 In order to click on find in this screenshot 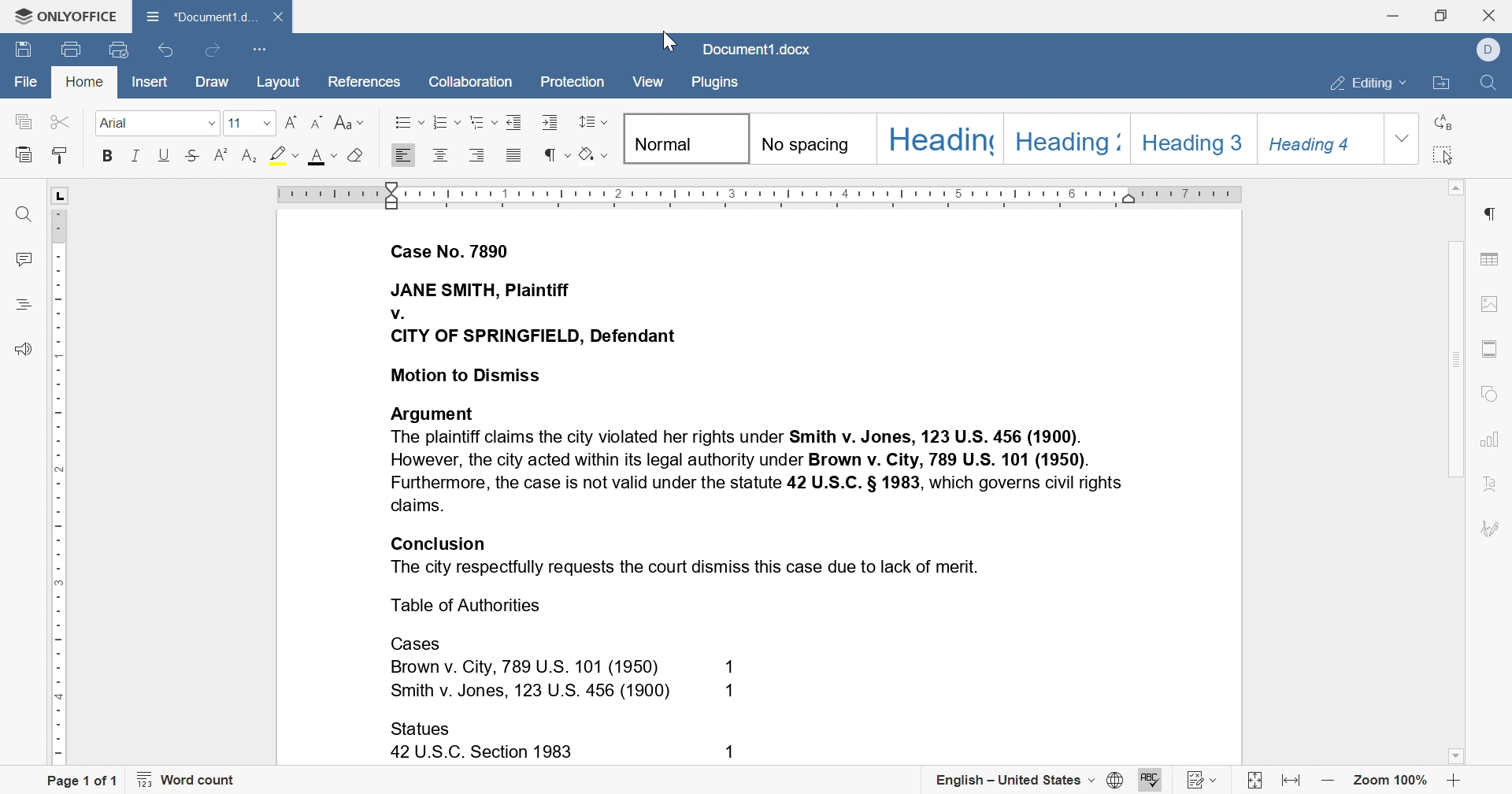, I will do `click(20, 213)`.